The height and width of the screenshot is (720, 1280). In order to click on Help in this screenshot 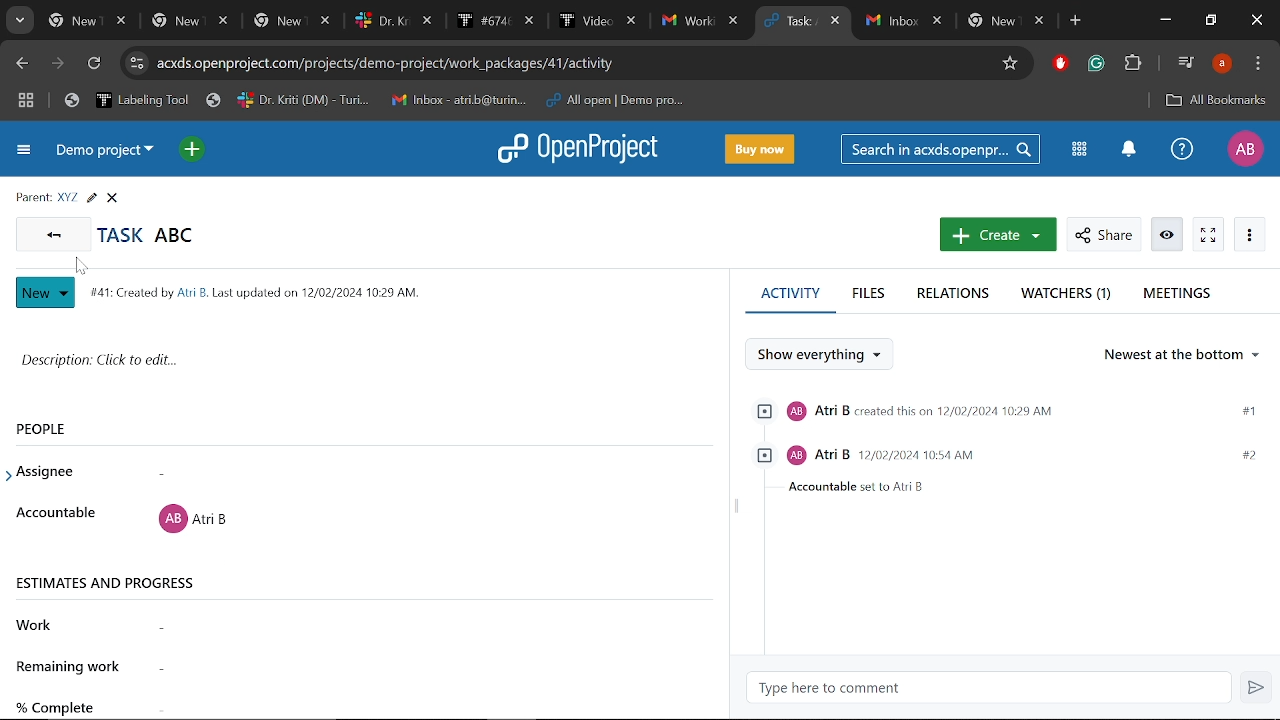, I will do `click(1182, 150)`.